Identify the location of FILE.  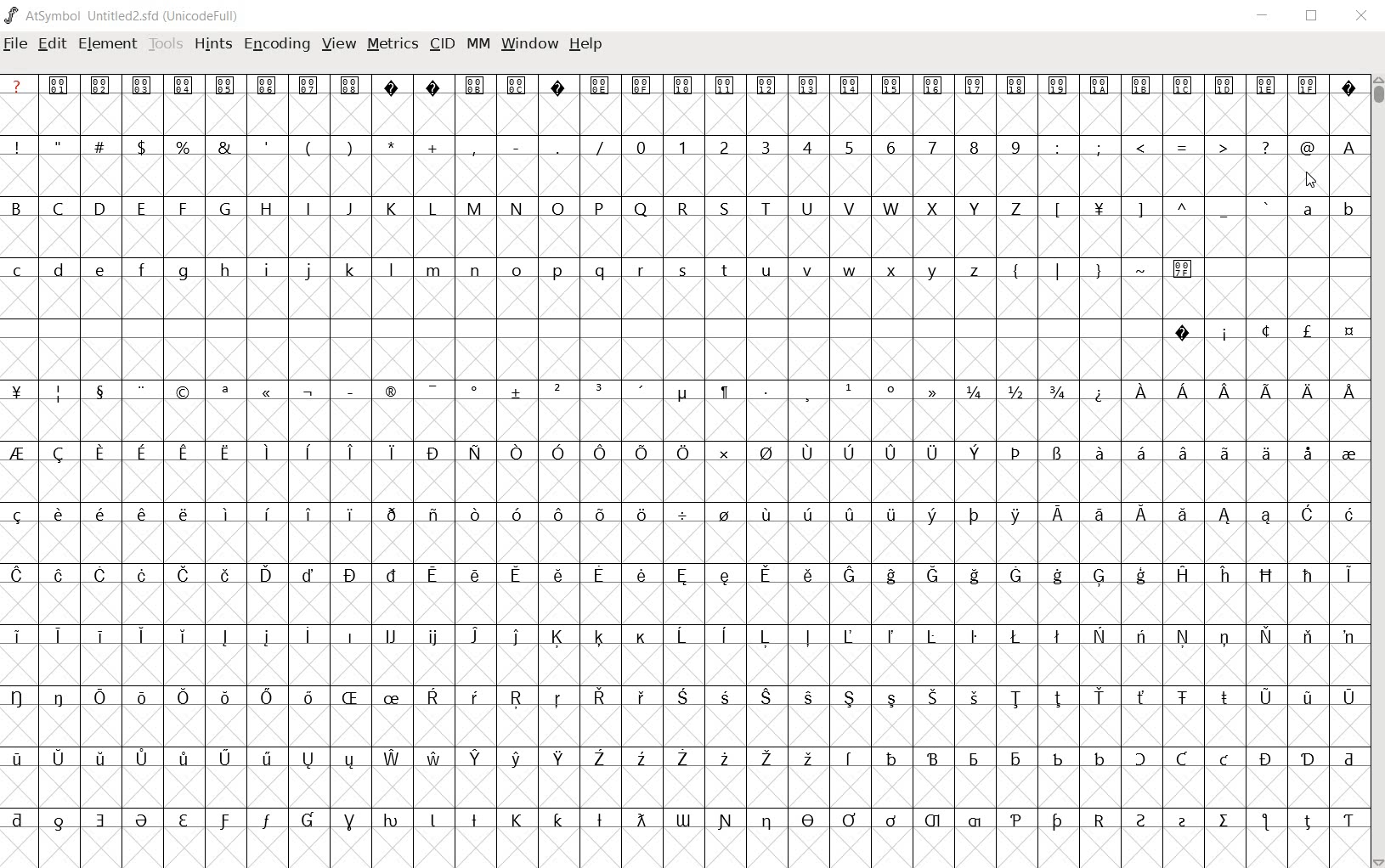
(15, 45).